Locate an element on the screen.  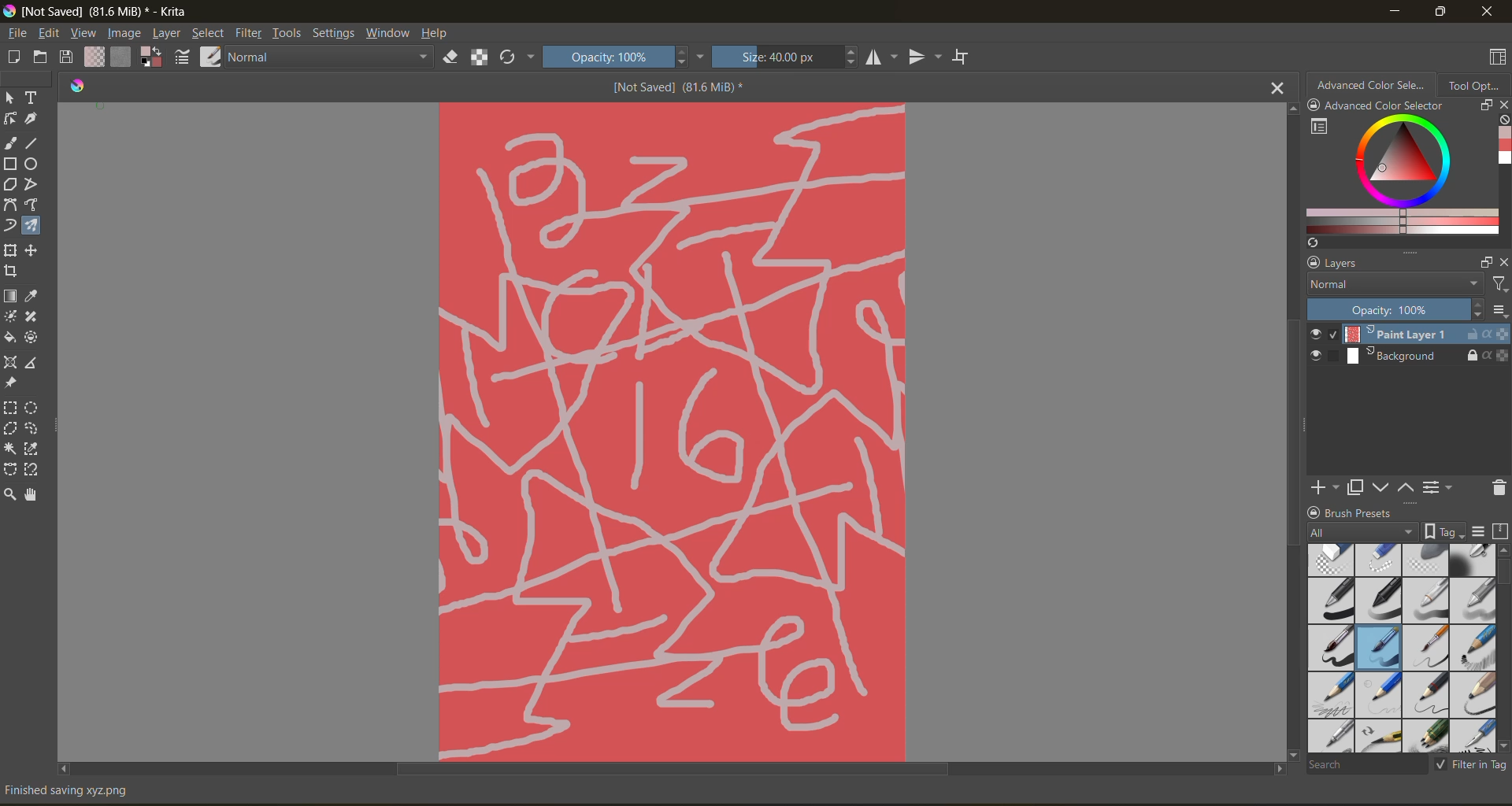
select is located at coordinates (206, 34).